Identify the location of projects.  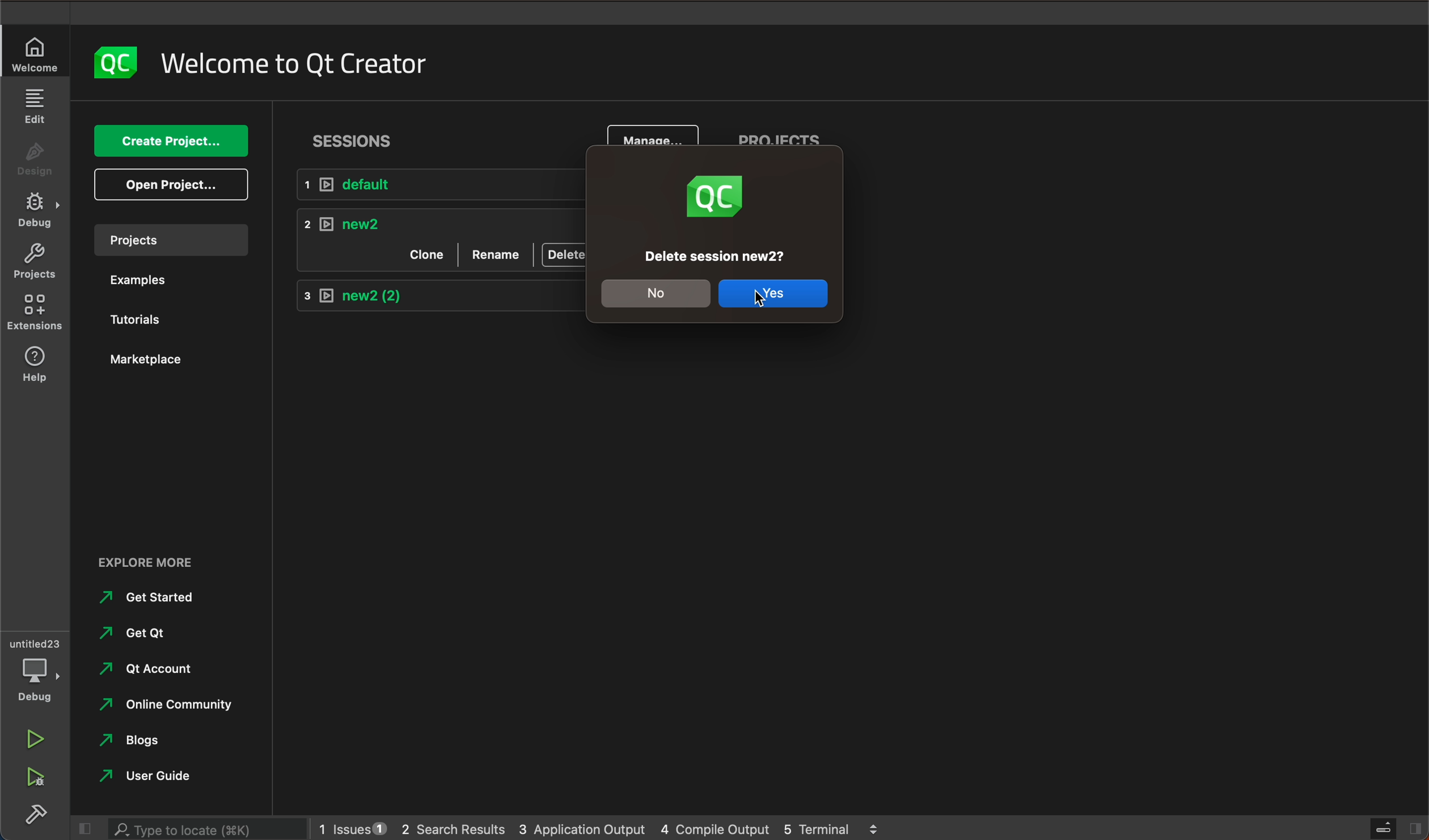
(781, 143).